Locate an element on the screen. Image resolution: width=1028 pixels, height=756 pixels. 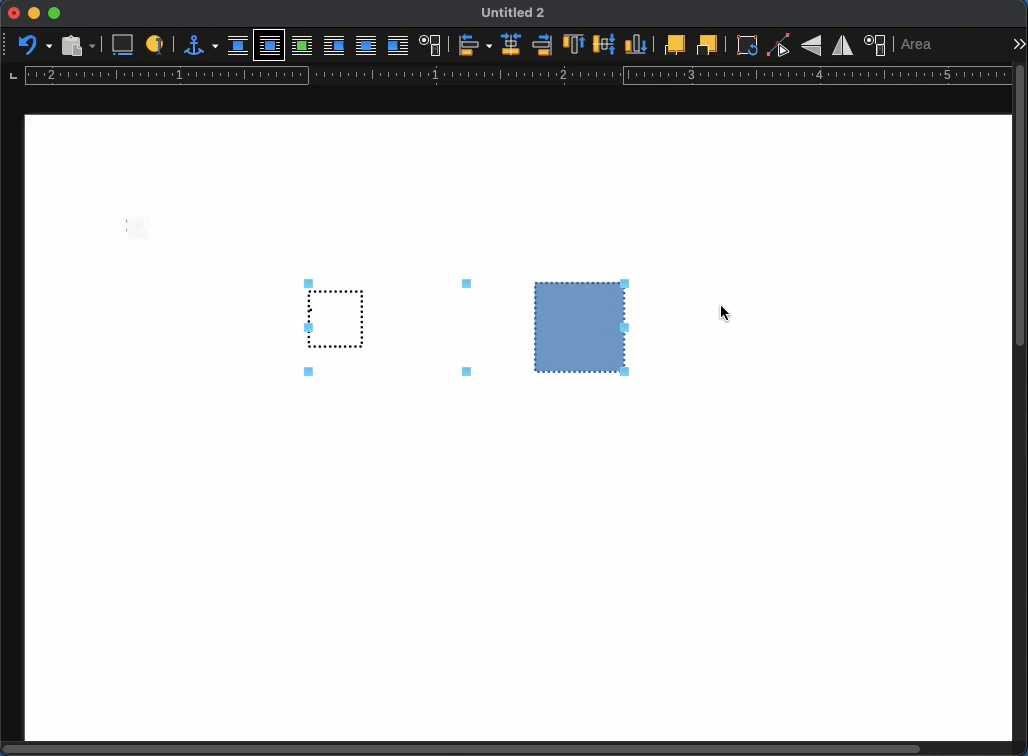
expand is located at coordinates (1018, 44).